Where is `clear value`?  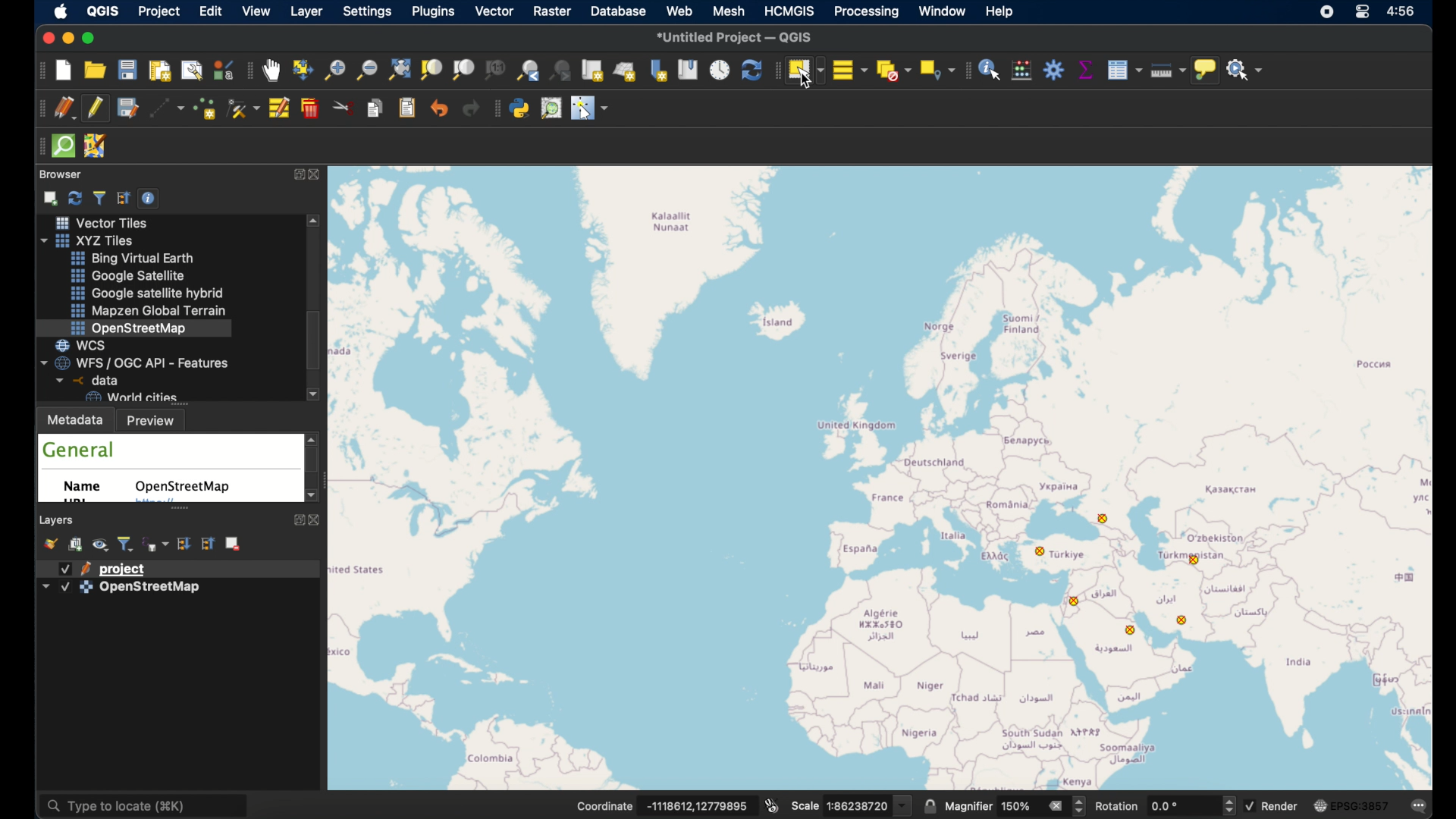 clear value is located at coordinates (1055, 805).